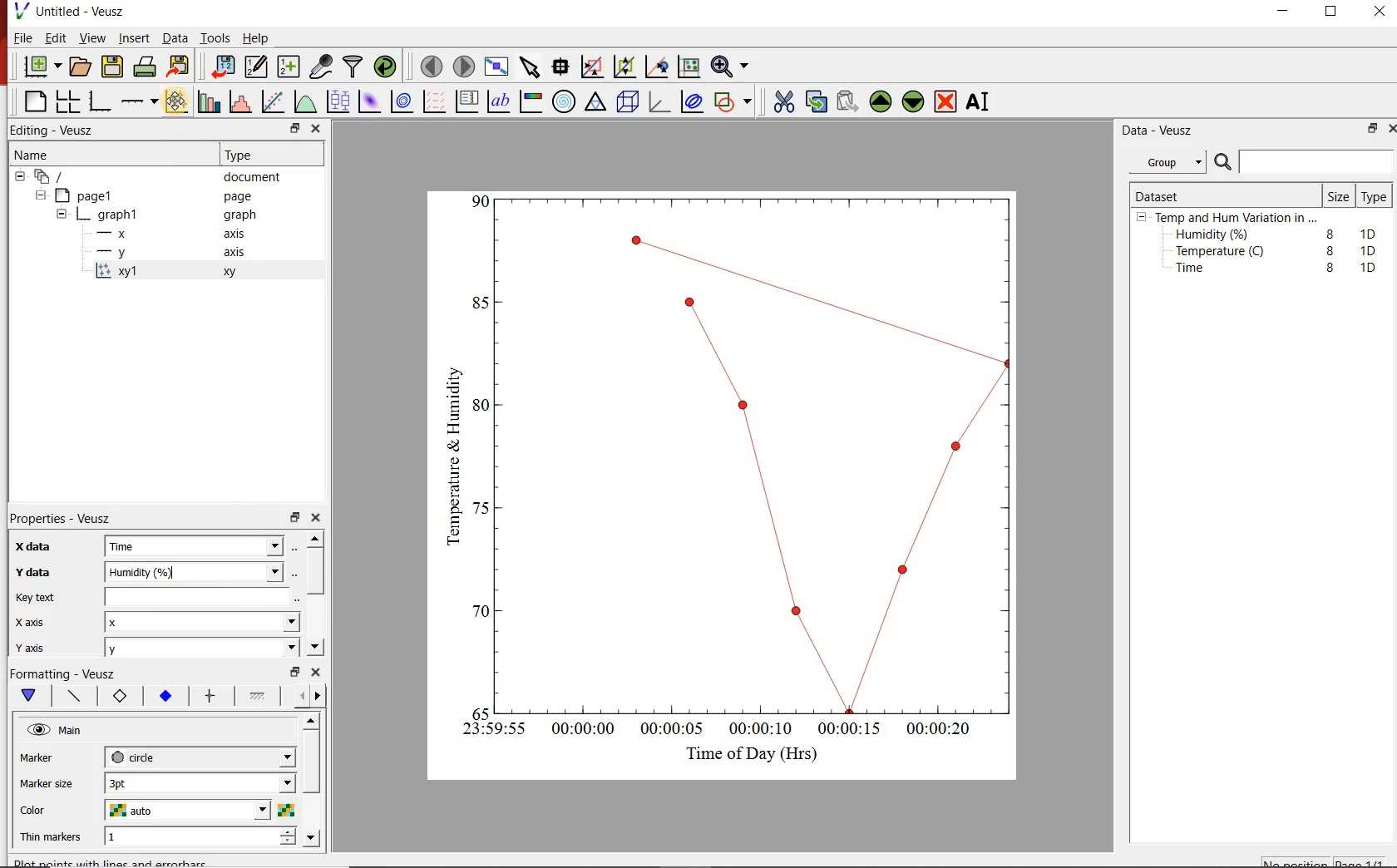 Image resolution: width=1397 pixels, height=868 pixels. What do you see at coordinates (307, 104) in the screenshot?
I see `plot a function` at bounding box center [307, 104].